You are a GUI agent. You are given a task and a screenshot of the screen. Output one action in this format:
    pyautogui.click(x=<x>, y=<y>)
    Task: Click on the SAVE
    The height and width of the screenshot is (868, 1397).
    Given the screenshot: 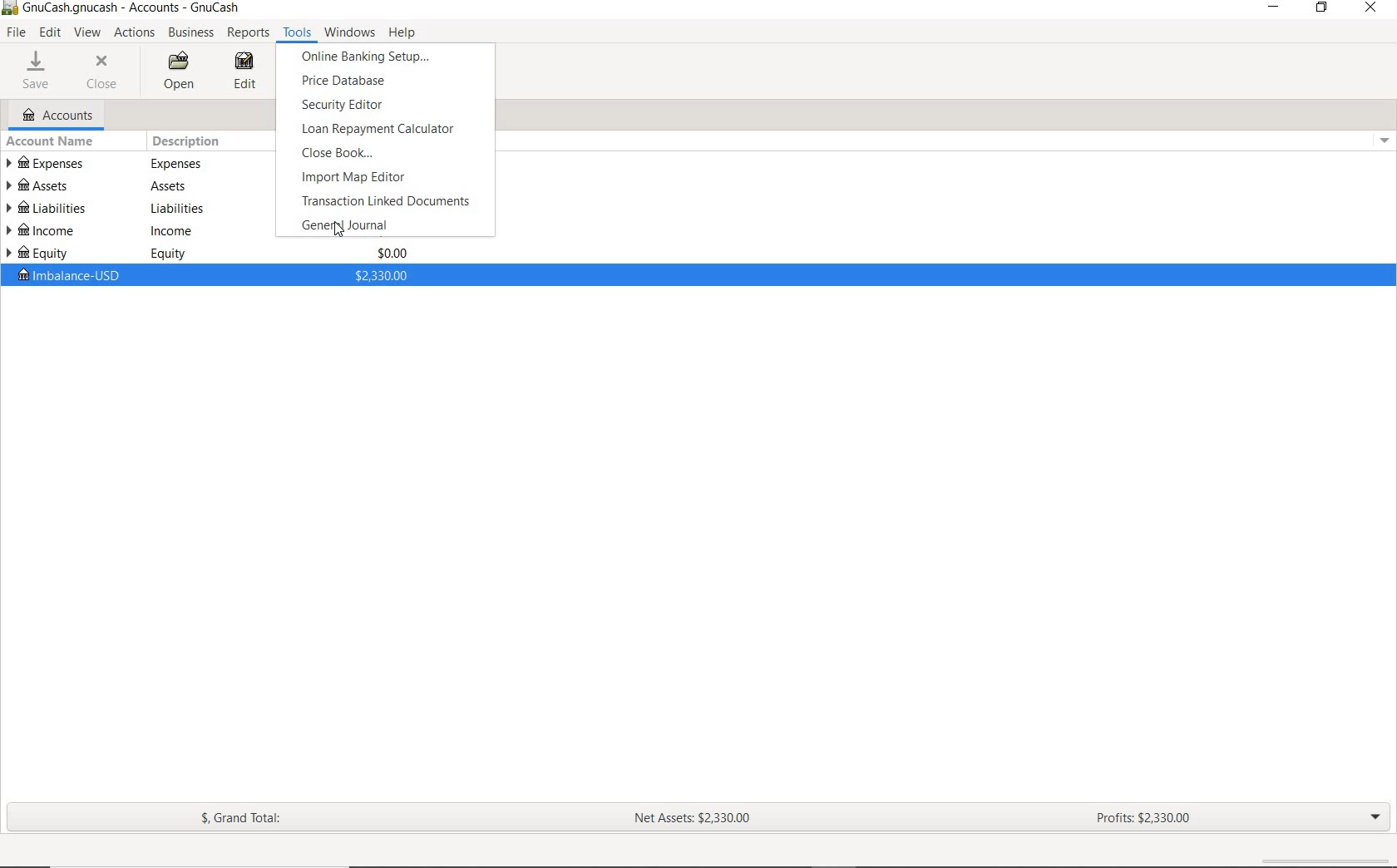 What is the action you would take?
    pyautogui.click(x=37, y=72)
    